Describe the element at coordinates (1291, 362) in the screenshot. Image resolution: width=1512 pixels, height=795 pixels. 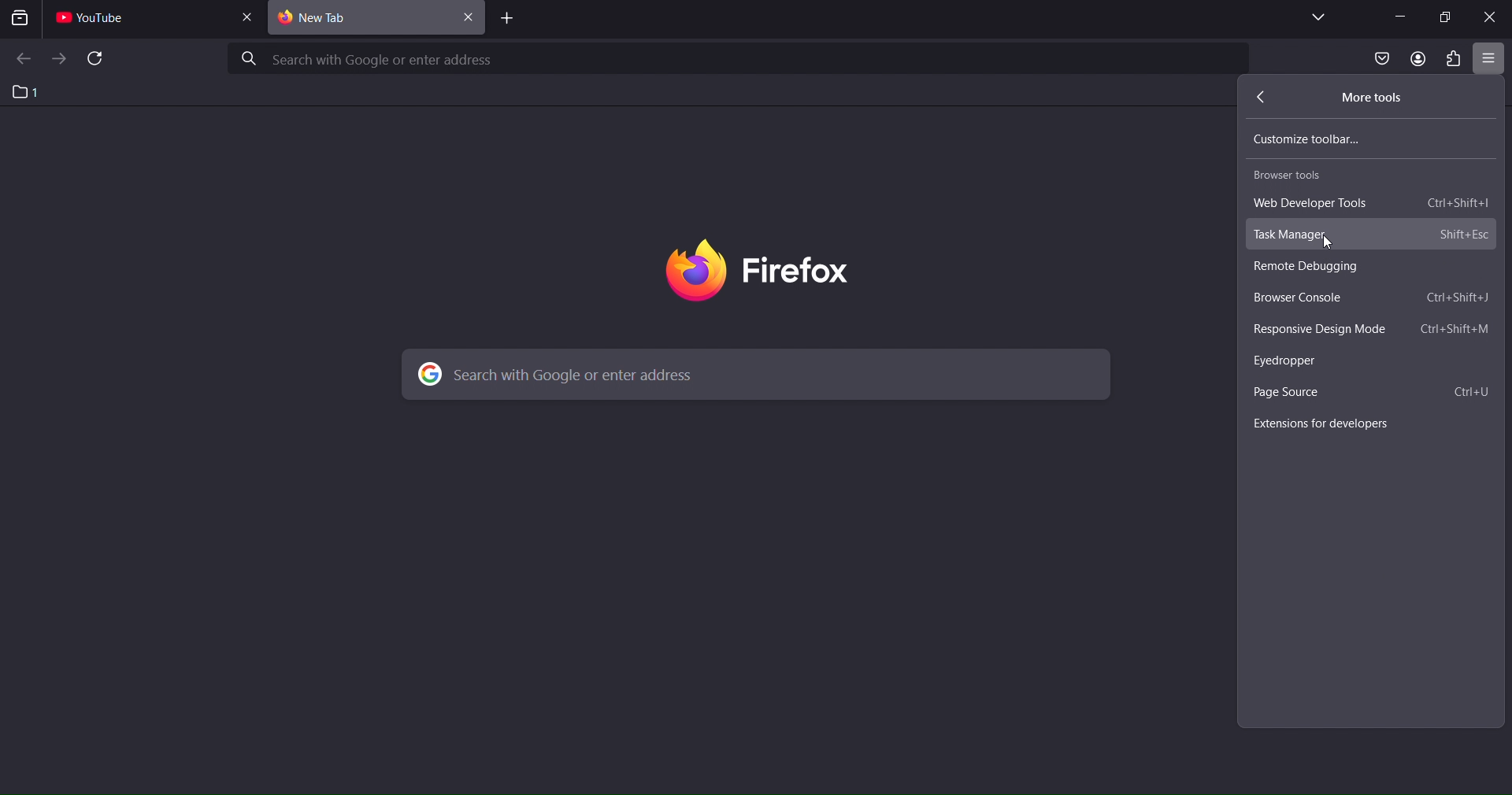
I see `eyedropper` at that location.